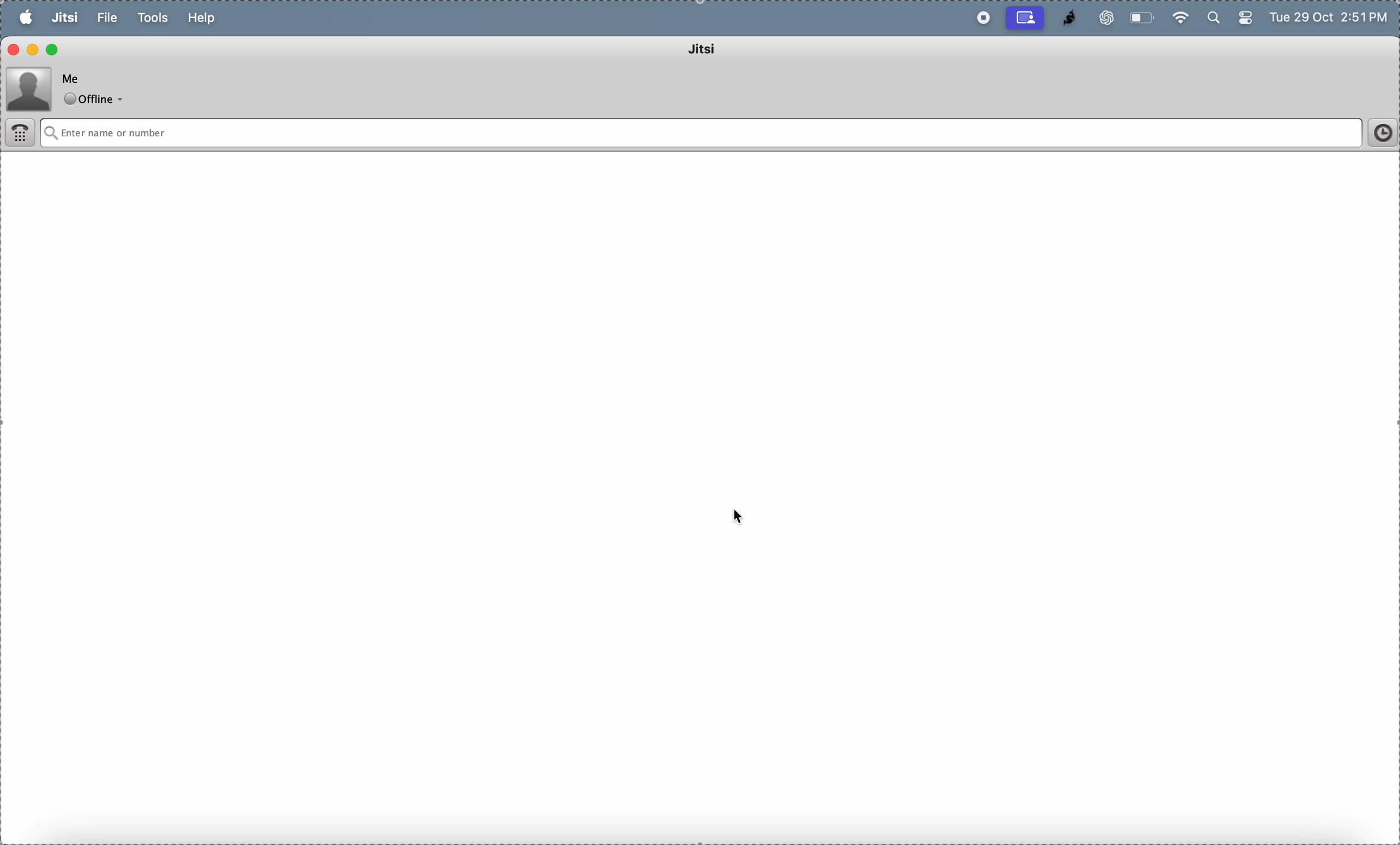 The width and height of the screenshot is (1400, 845). I want to click on tools, so click(154, 18).